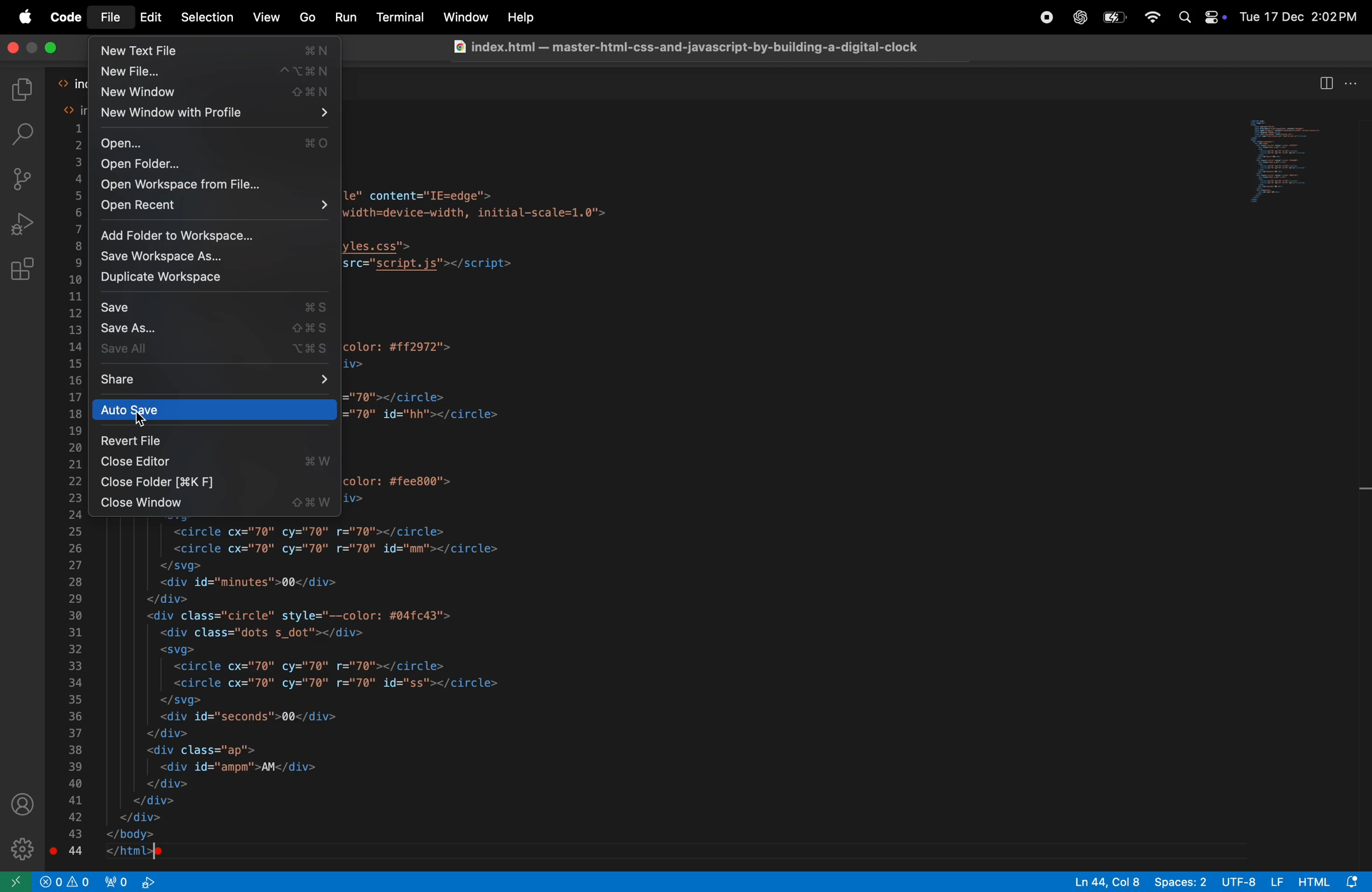  I want to click on port, so click(117, 881).